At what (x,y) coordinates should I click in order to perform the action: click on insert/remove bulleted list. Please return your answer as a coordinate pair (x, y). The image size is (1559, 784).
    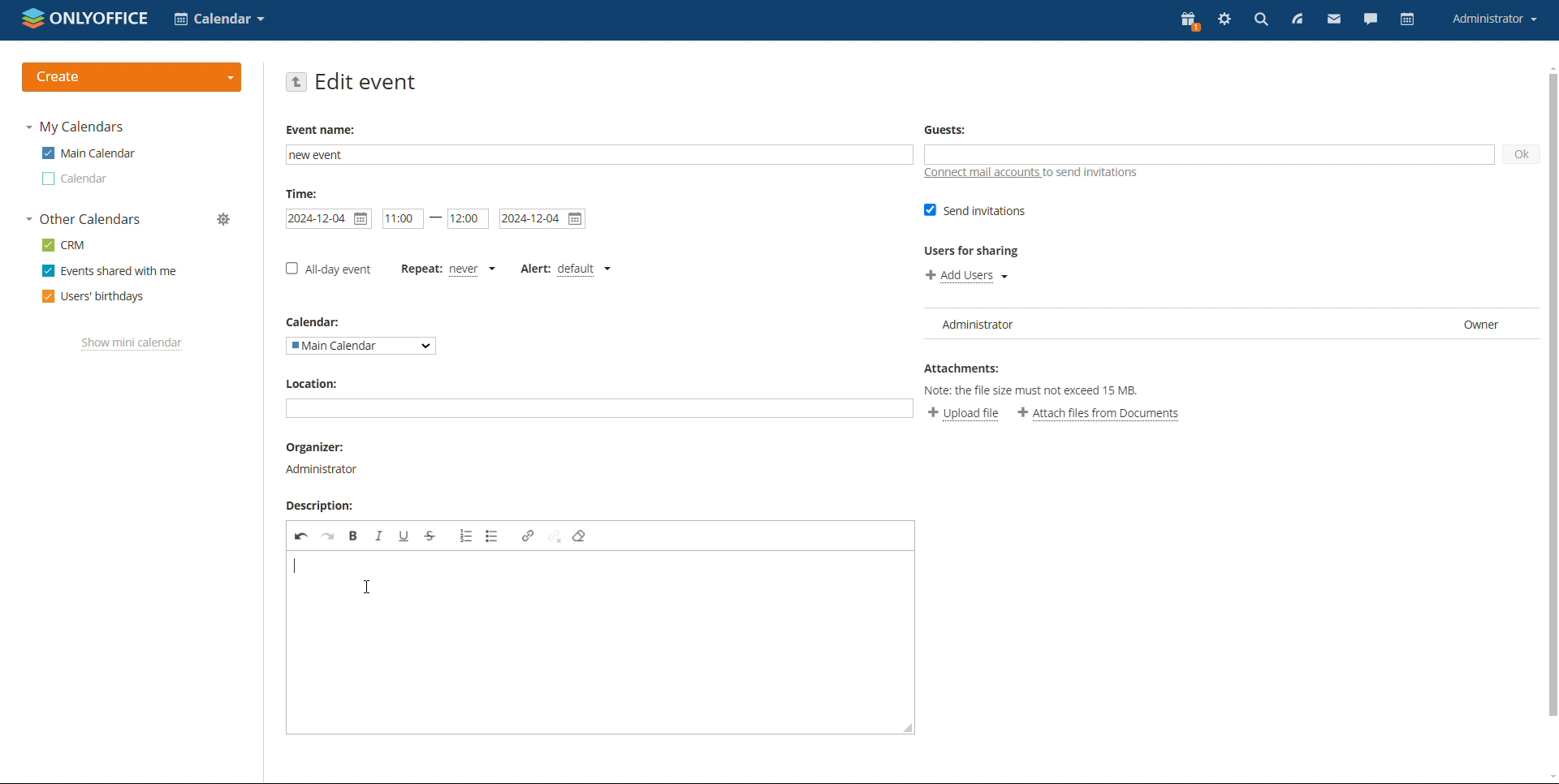
    Looking at the image, I should click on (493, 536).